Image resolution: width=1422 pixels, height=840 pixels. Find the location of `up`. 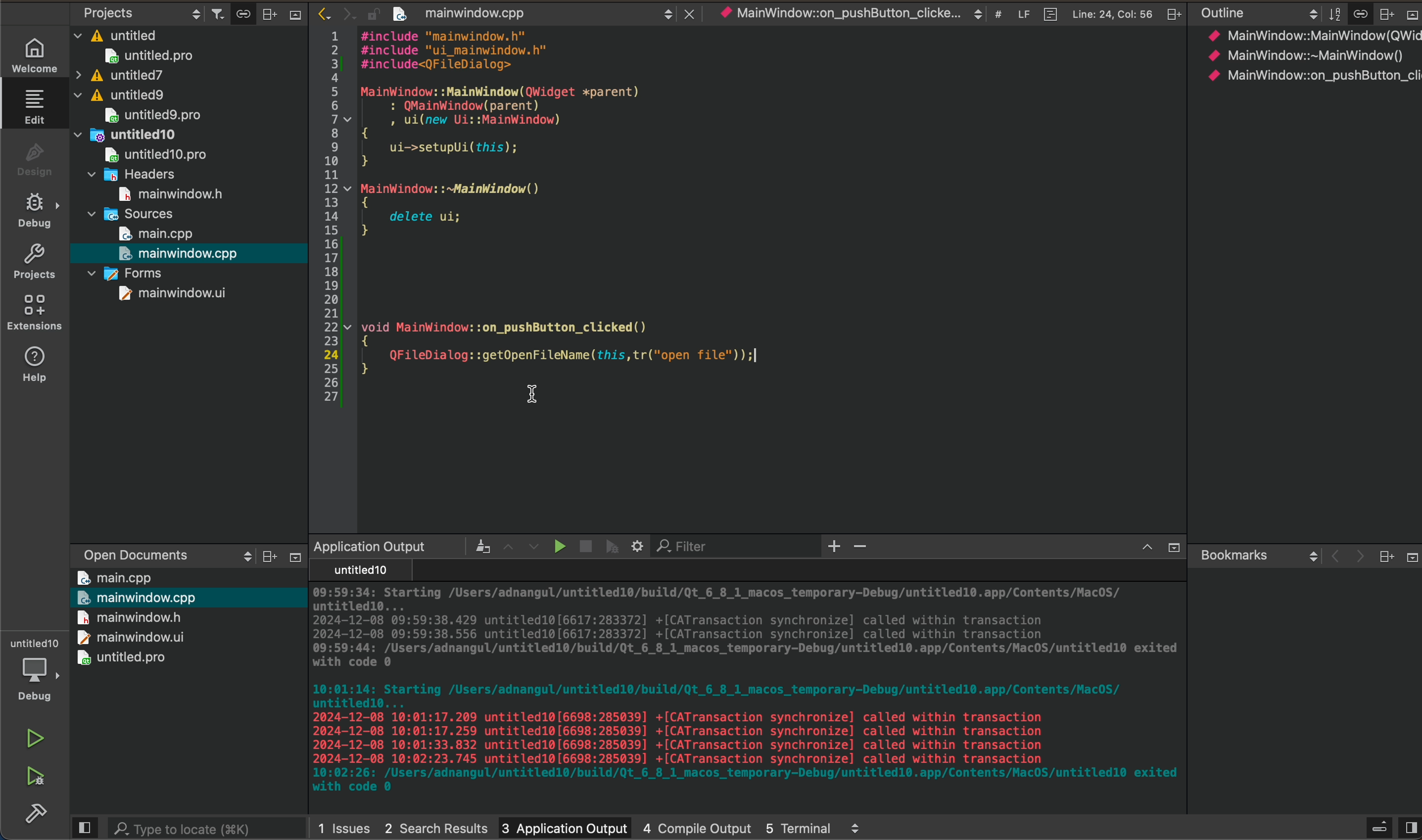

up is located at coordinates (505, 545).